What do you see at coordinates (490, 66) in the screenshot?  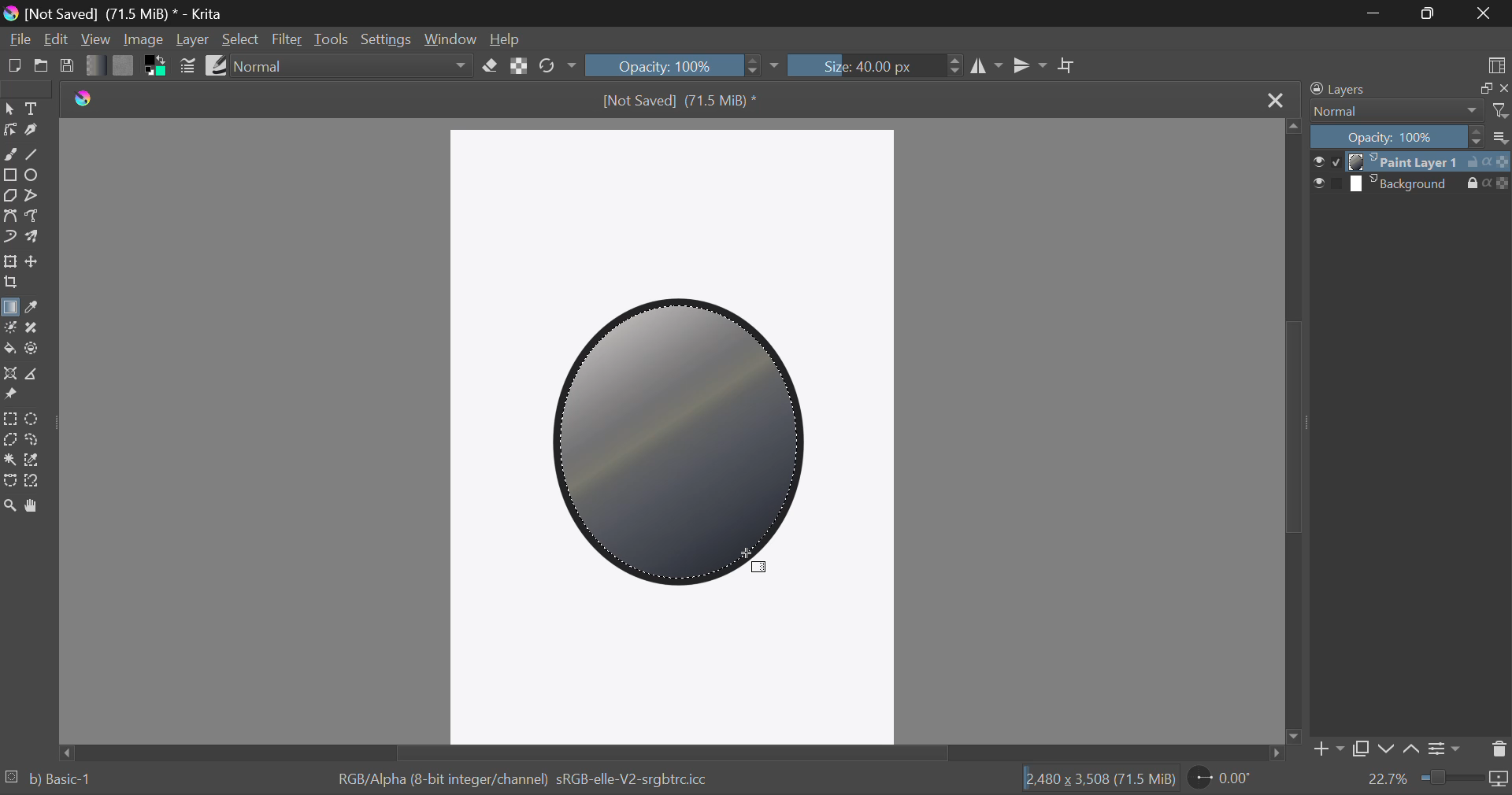 I see `Eraser` at bounding box center [490, 66].